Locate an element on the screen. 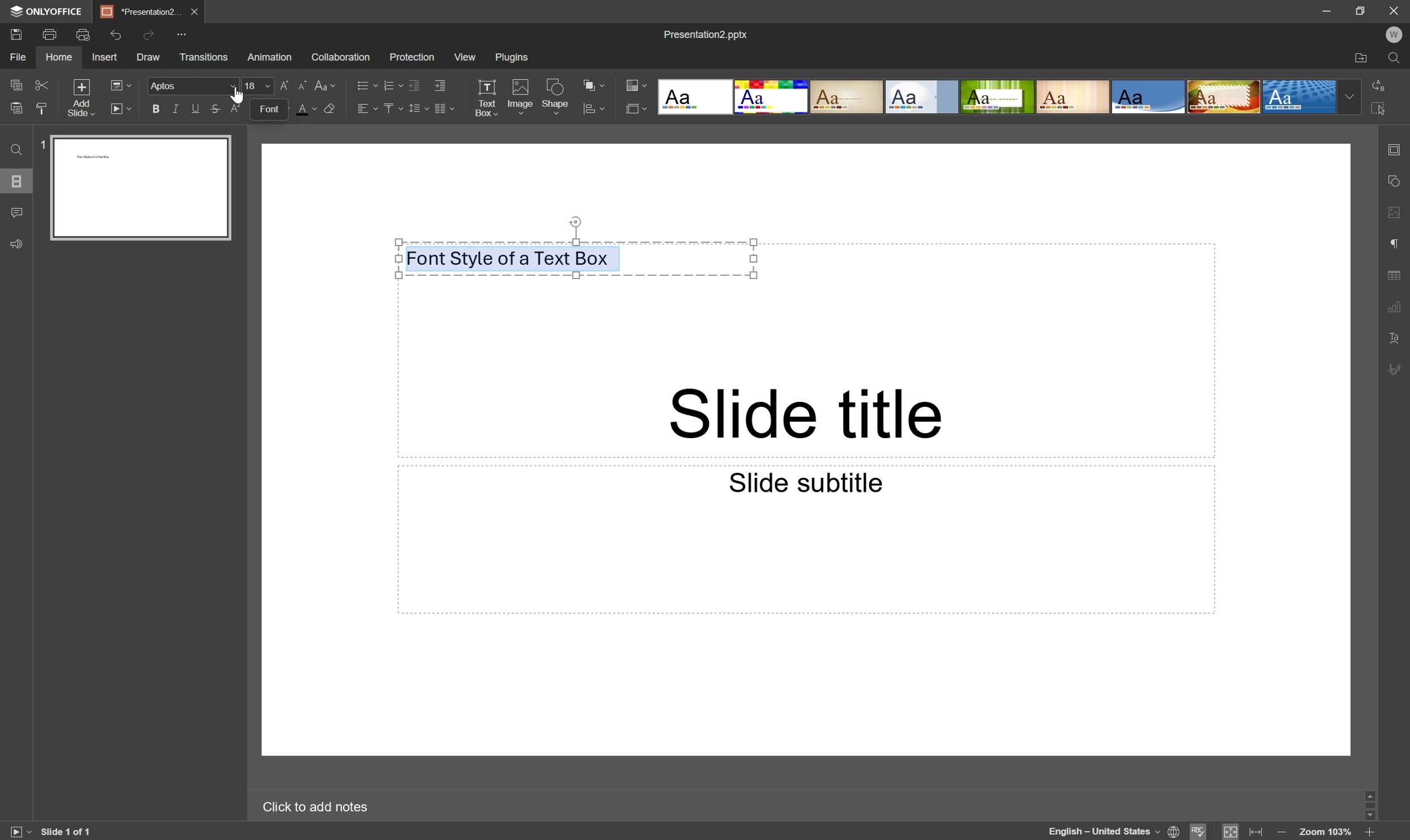 This screenshot has width=1410, height=840. Minimize is located at coordinates (1327, 8).